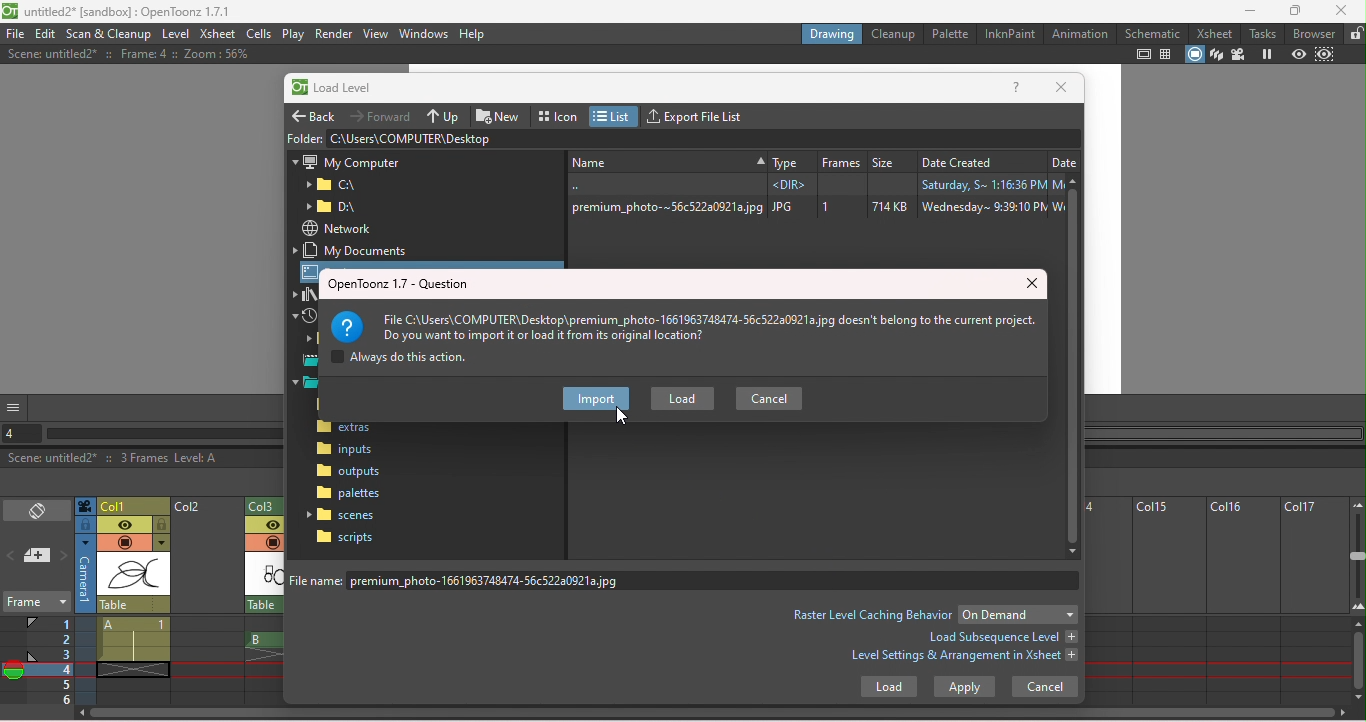 Image resolution: width=1366 pixels, height=722 pixels. I want to click on close, so click(1035, 284).